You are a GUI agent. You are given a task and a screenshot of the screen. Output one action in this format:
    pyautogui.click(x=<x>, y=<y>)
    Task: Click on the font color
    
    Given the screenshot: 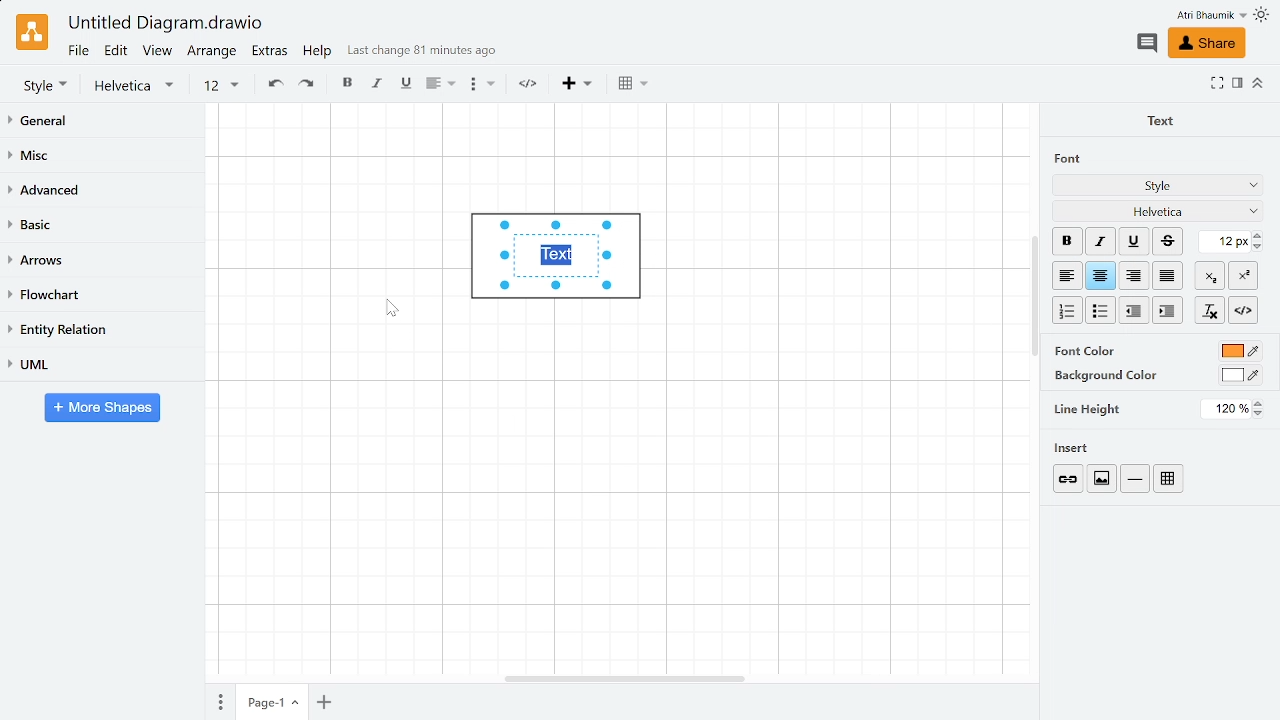 What is the action you would take?
    pyautogui.click(x=1087, y=350)
    